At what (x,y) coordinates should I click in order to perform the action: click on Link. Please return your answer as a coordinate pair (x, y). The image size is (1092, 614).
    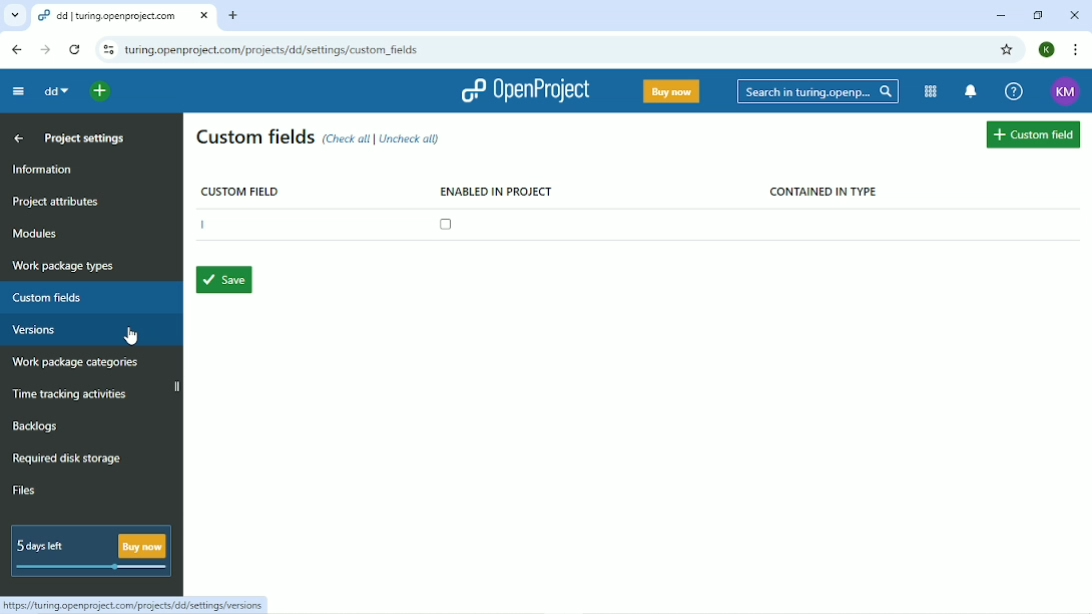
    Looking at the image, I should click on (139, 605).